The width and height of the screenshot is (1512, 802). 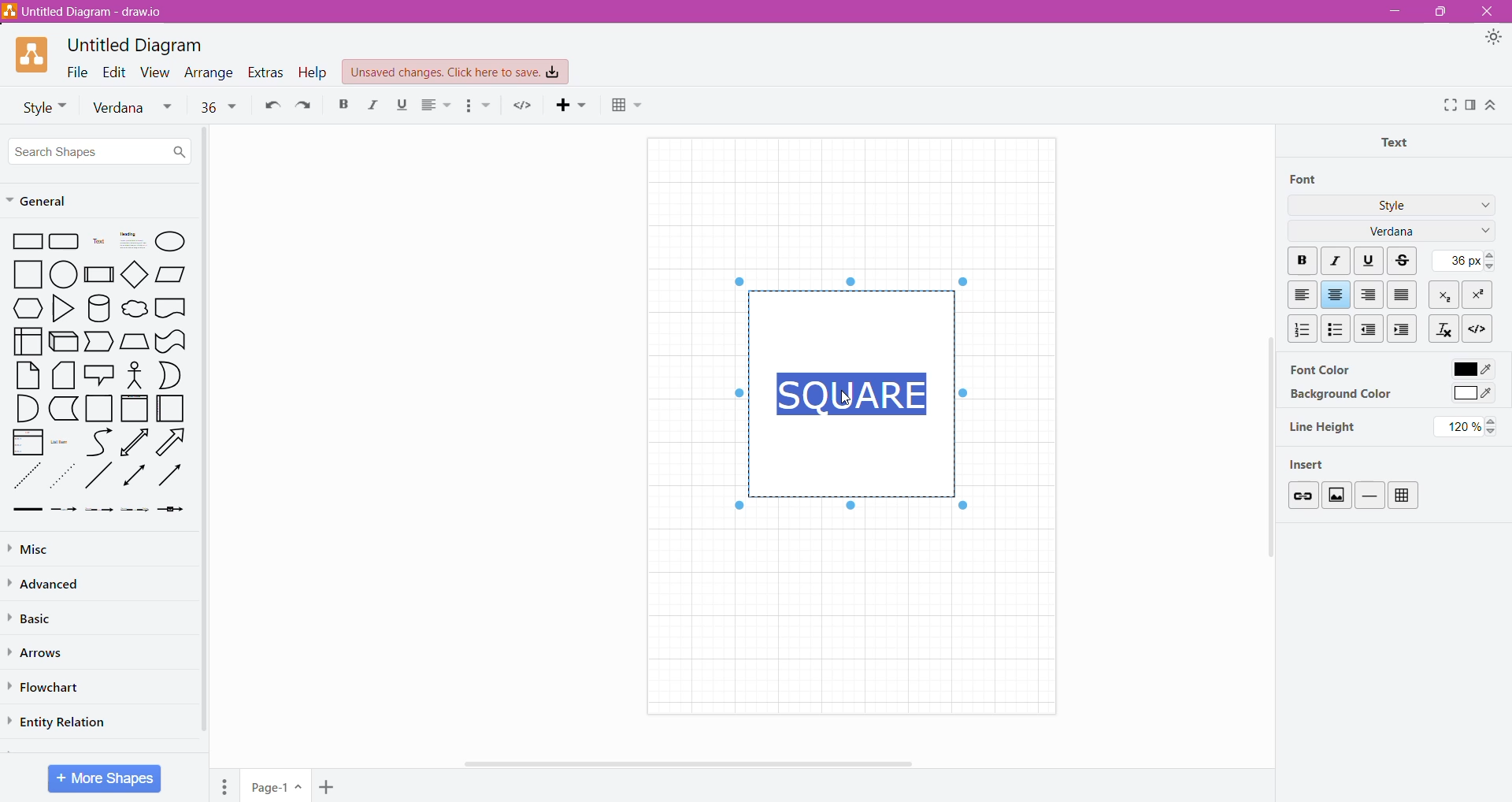 What do you see at coordinates (135, 510) in the screenshot?
I see `Dotted Arrow ` at bounding box center [135, 510].